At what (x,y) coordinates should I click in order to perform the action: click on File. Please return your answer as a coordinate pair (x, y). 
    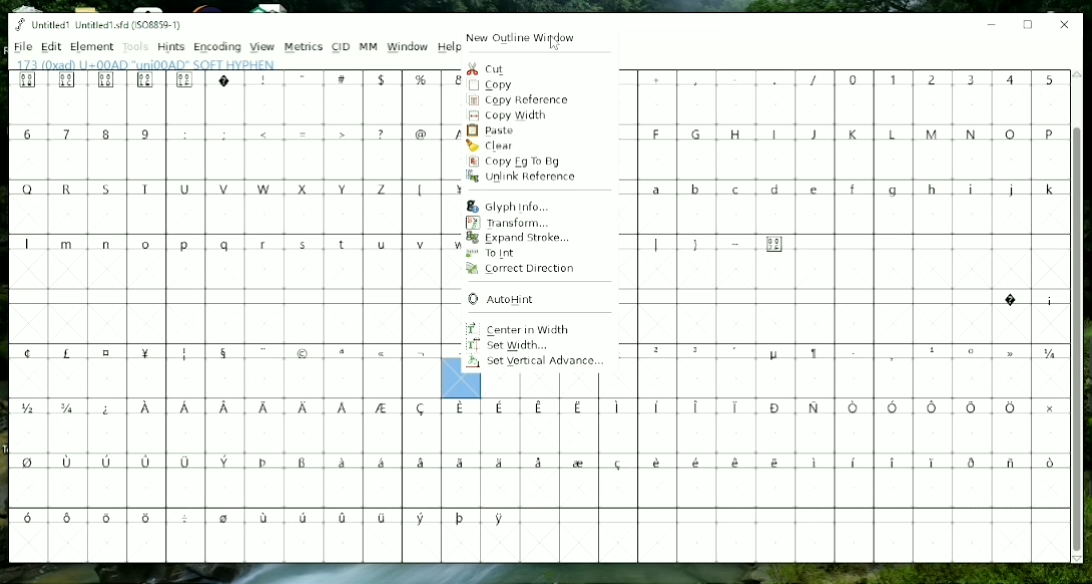
    Looking at the image, I should click on (22, 46).